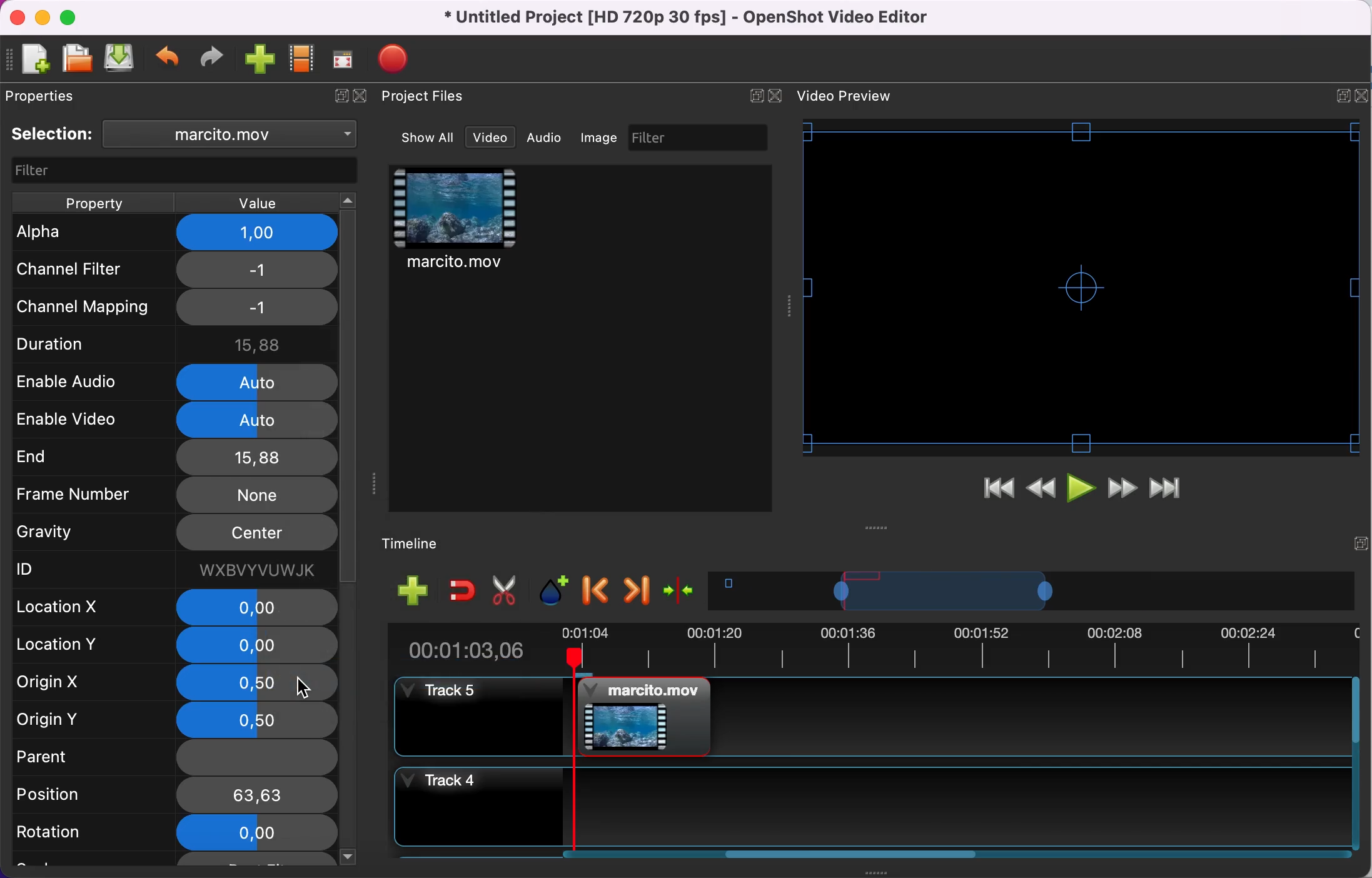 The height and width of the screenshot is (878, 1372). What do you see at coordinates (175, 420) in the screenshot?
I see `enable video auto` at bounding box center [175, 420].